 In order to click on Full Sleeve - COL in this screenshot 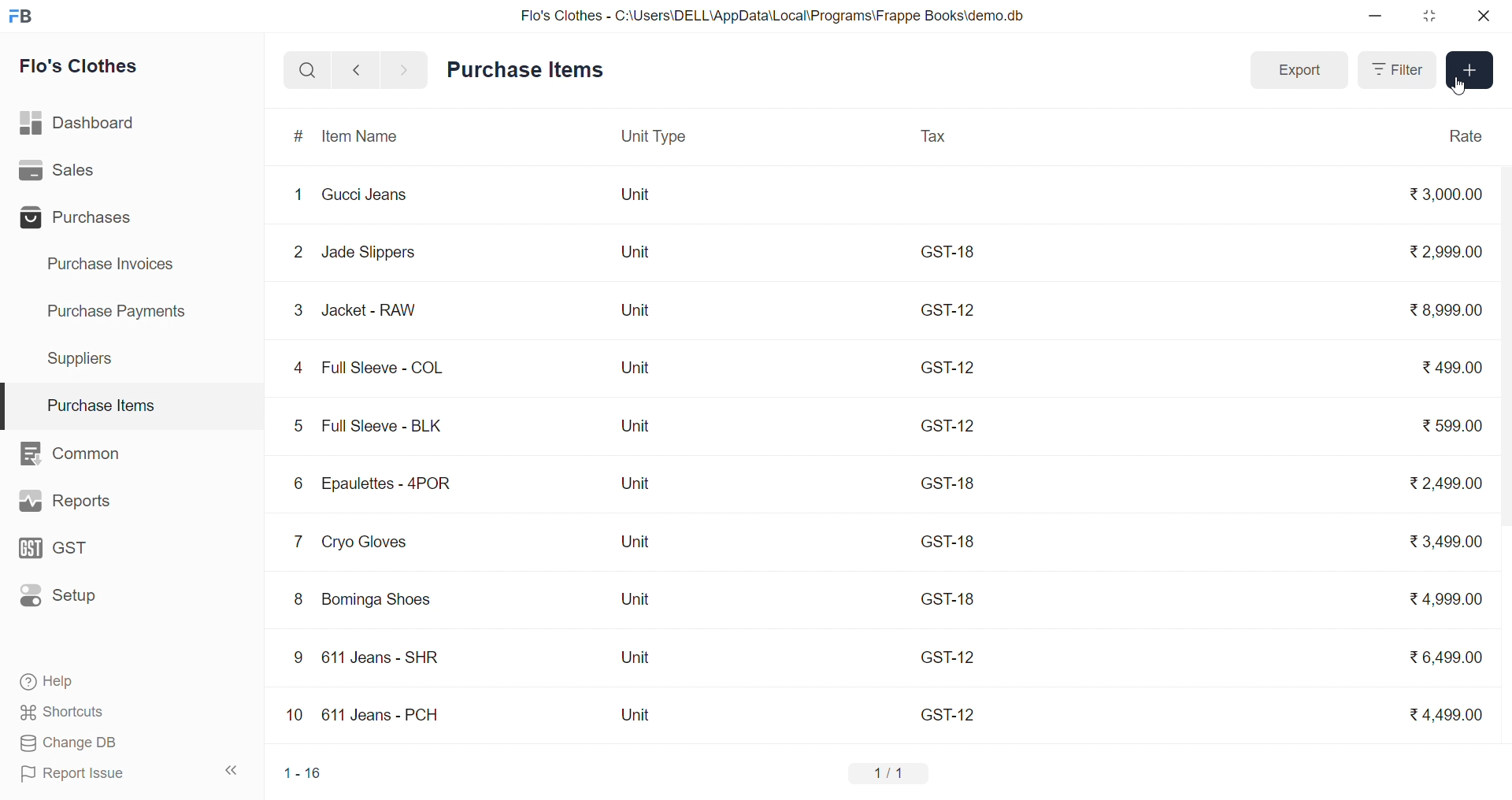, I will do `click(392, 364)`.